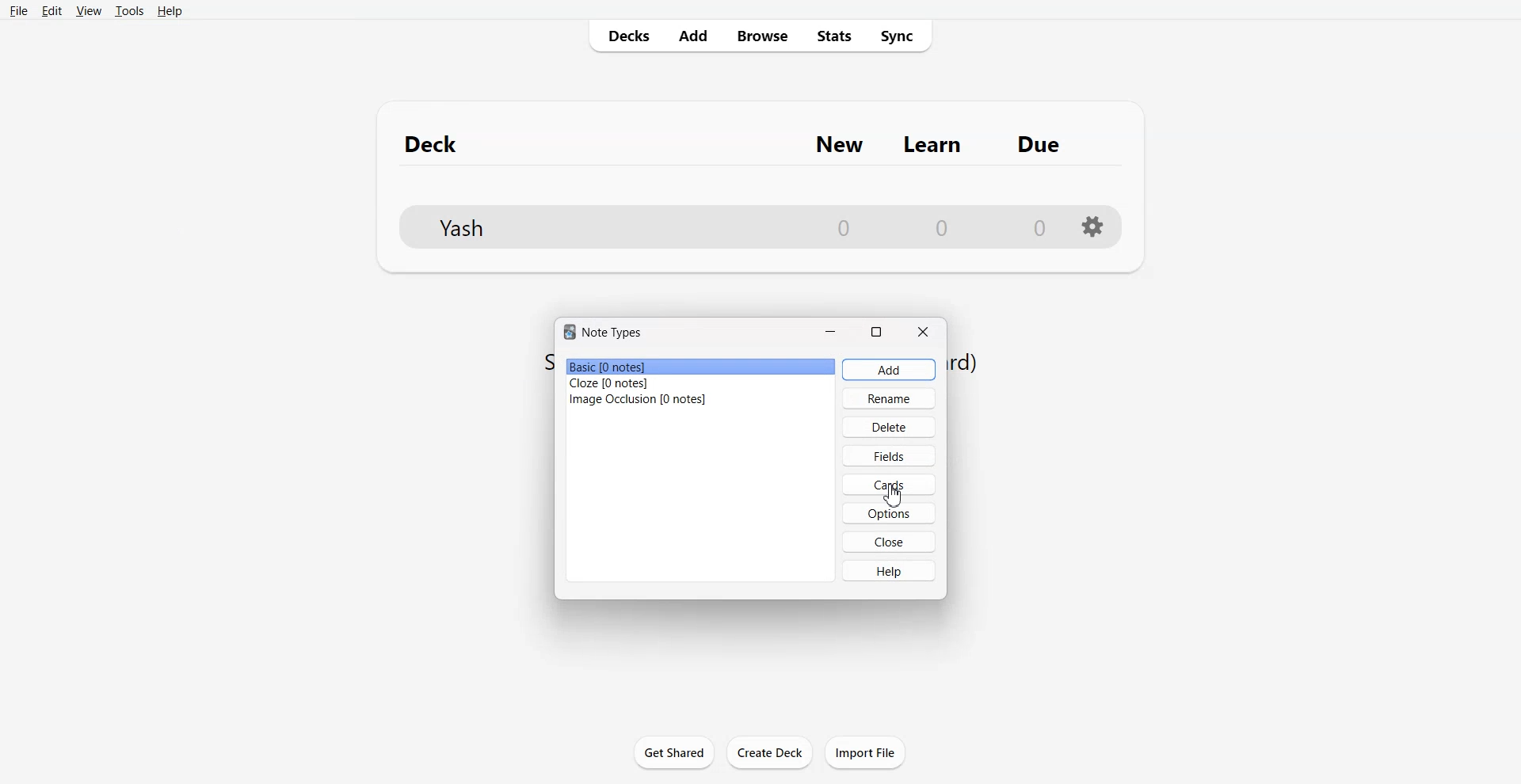 The width and height of the screenshot is (1521, 784). I want to click on Learn, so click(935, 145).